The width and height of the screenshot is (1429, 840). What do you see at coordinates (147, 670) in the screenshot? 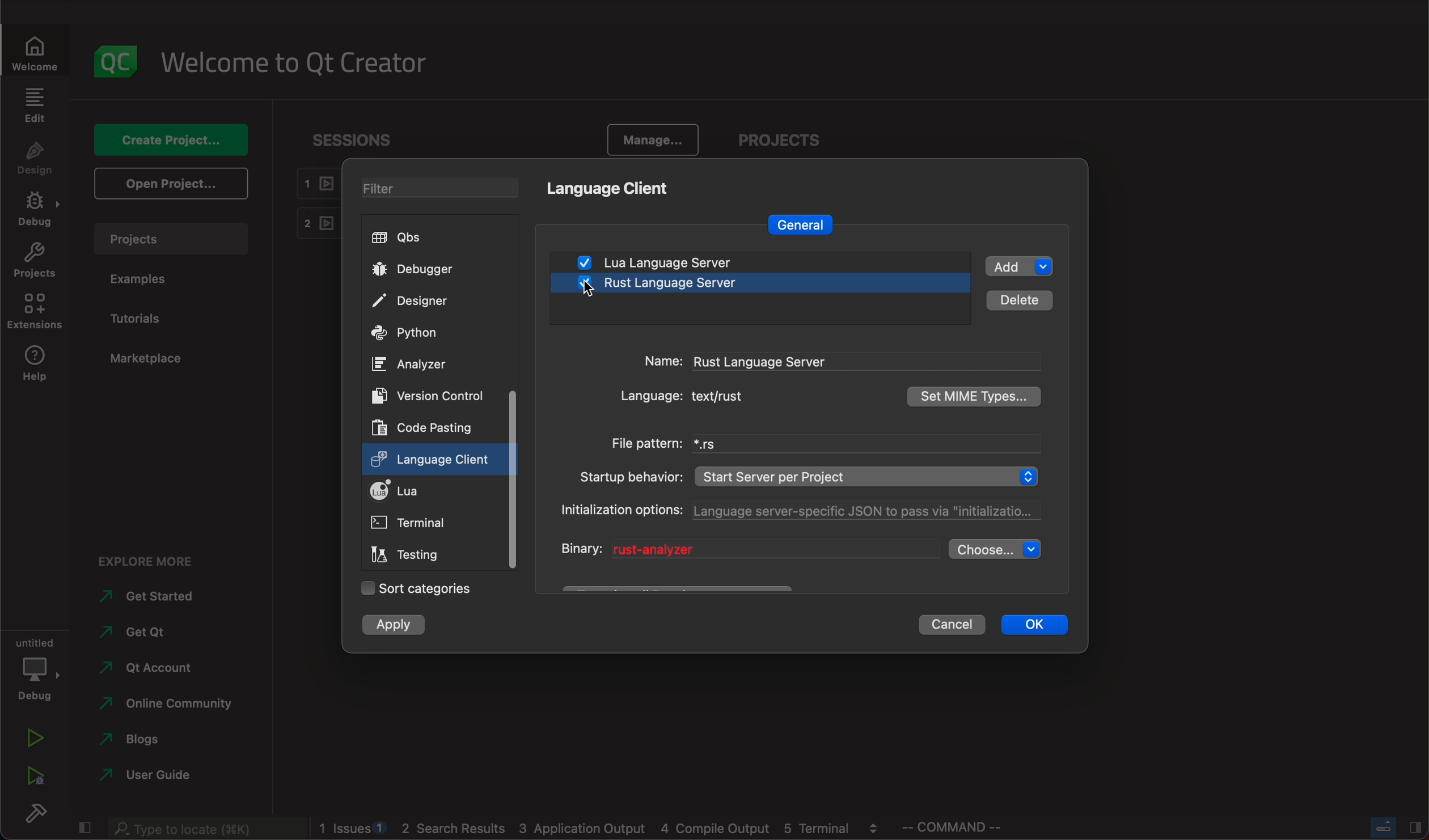
I see `account` at bounding box center [147, 670].